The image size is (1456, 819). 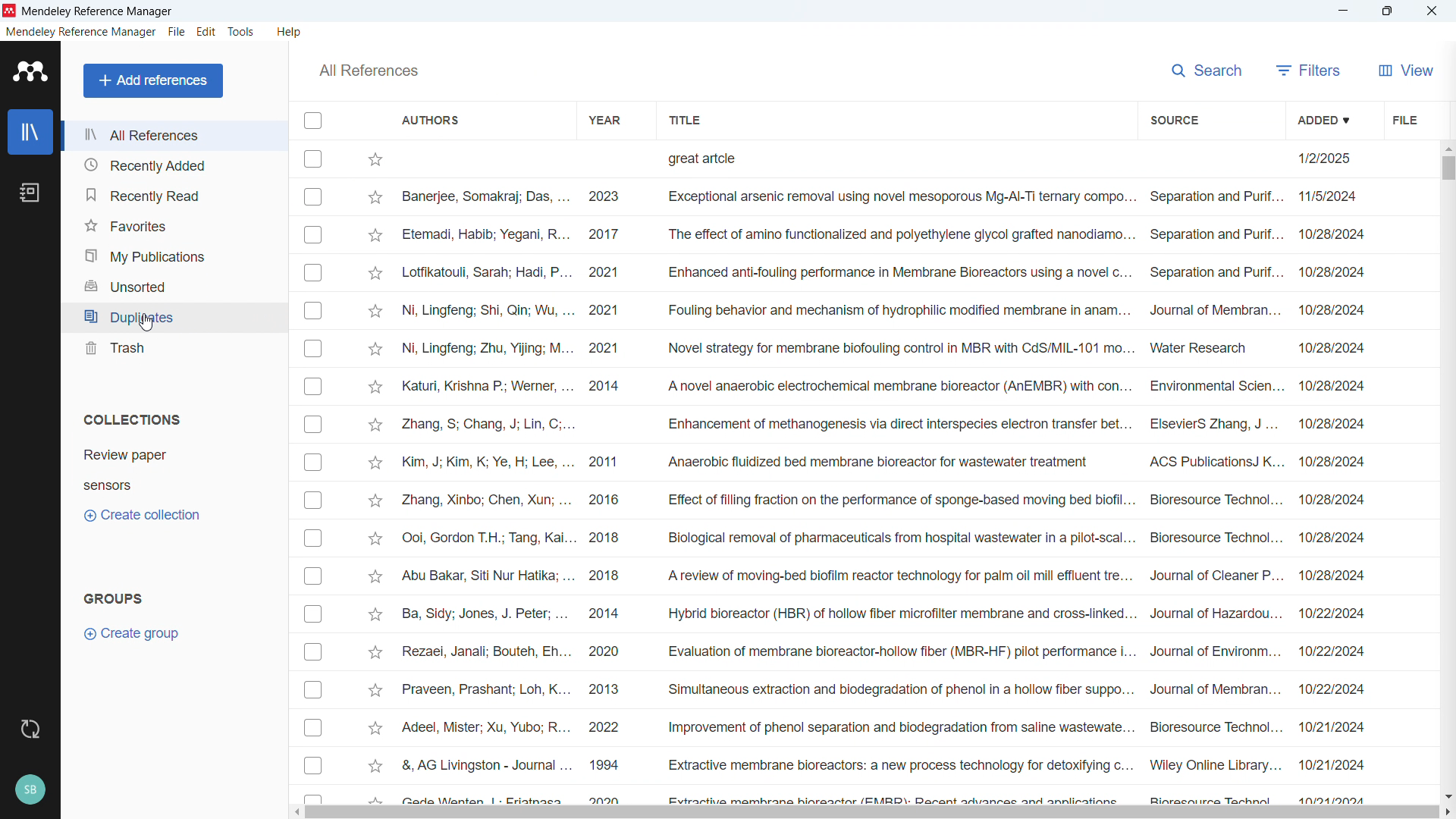 I want to click on Unsorted , so click(x=173, y=286).